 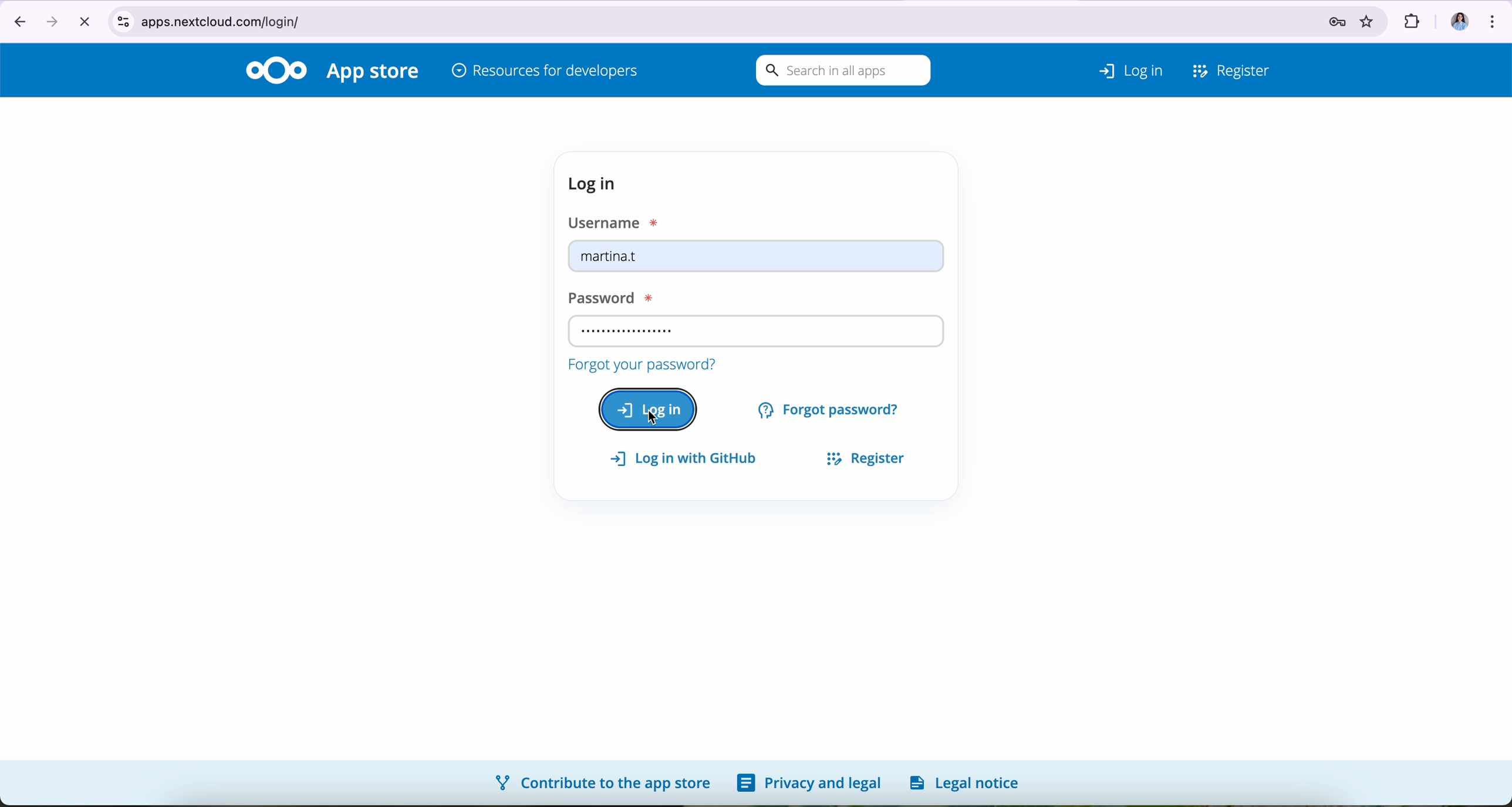 What do you see at coordinates (1495, 18) in the screenshot?
I see `more` at bounding box center [1495, 18].